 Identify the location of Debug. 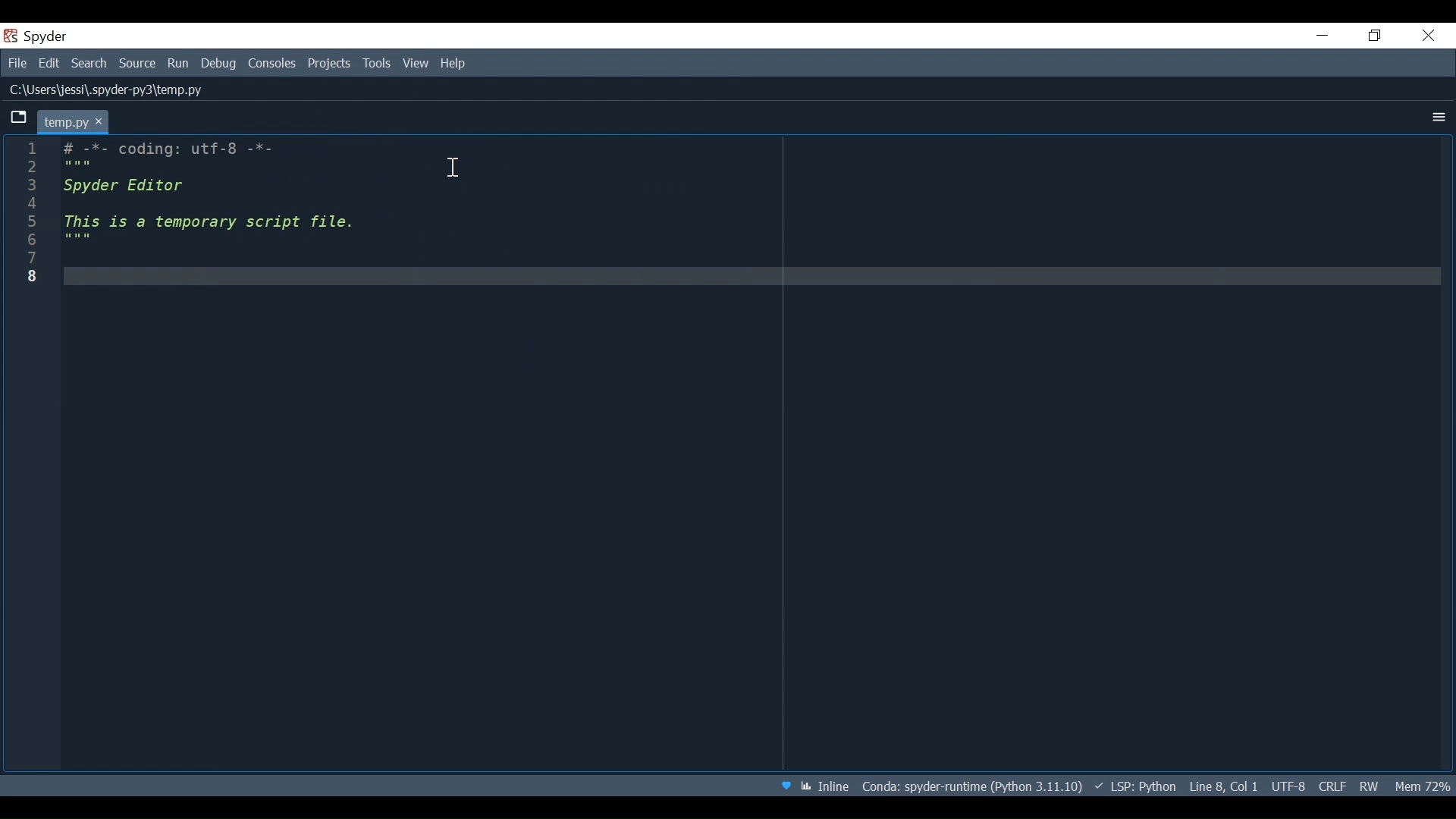
(220, 63).